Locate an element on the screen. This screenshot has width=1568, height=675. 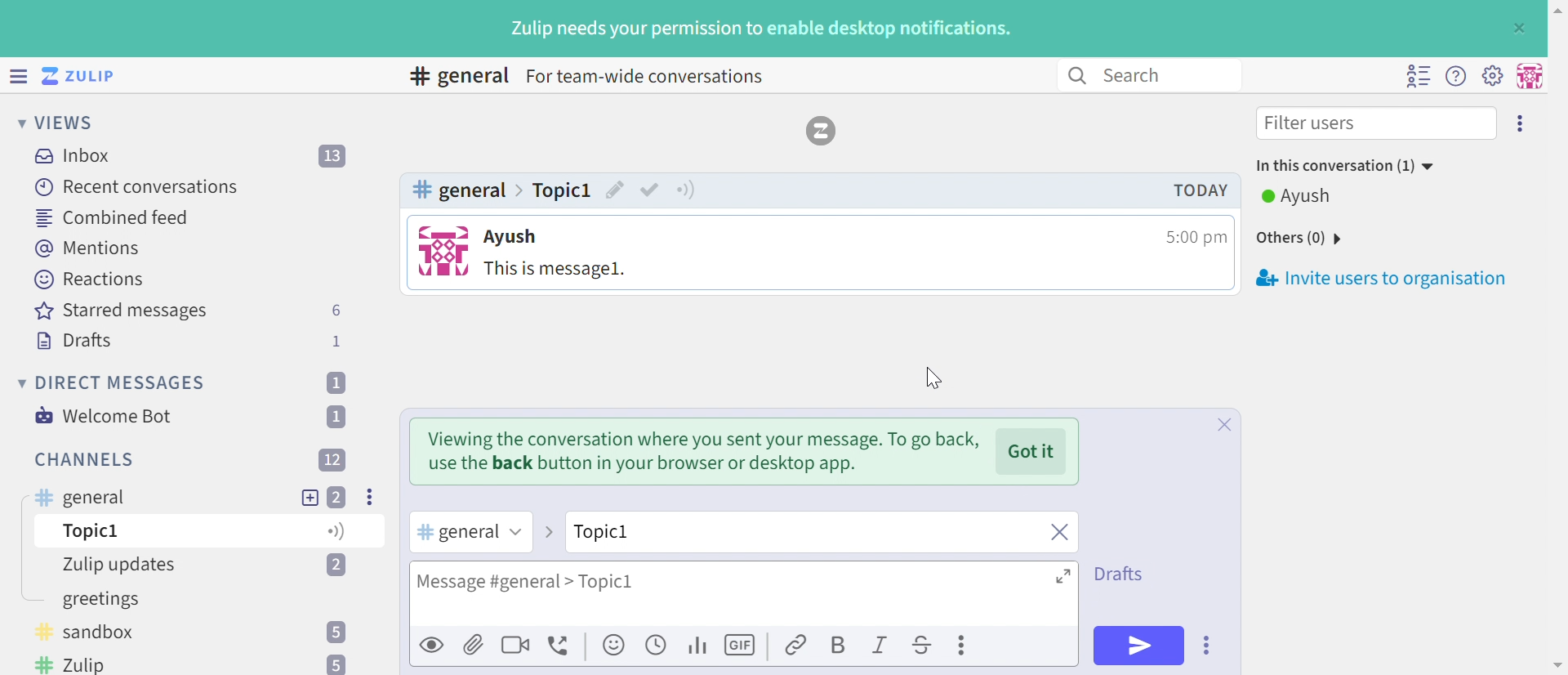
Starred messages is located at coordinates (121, 312).